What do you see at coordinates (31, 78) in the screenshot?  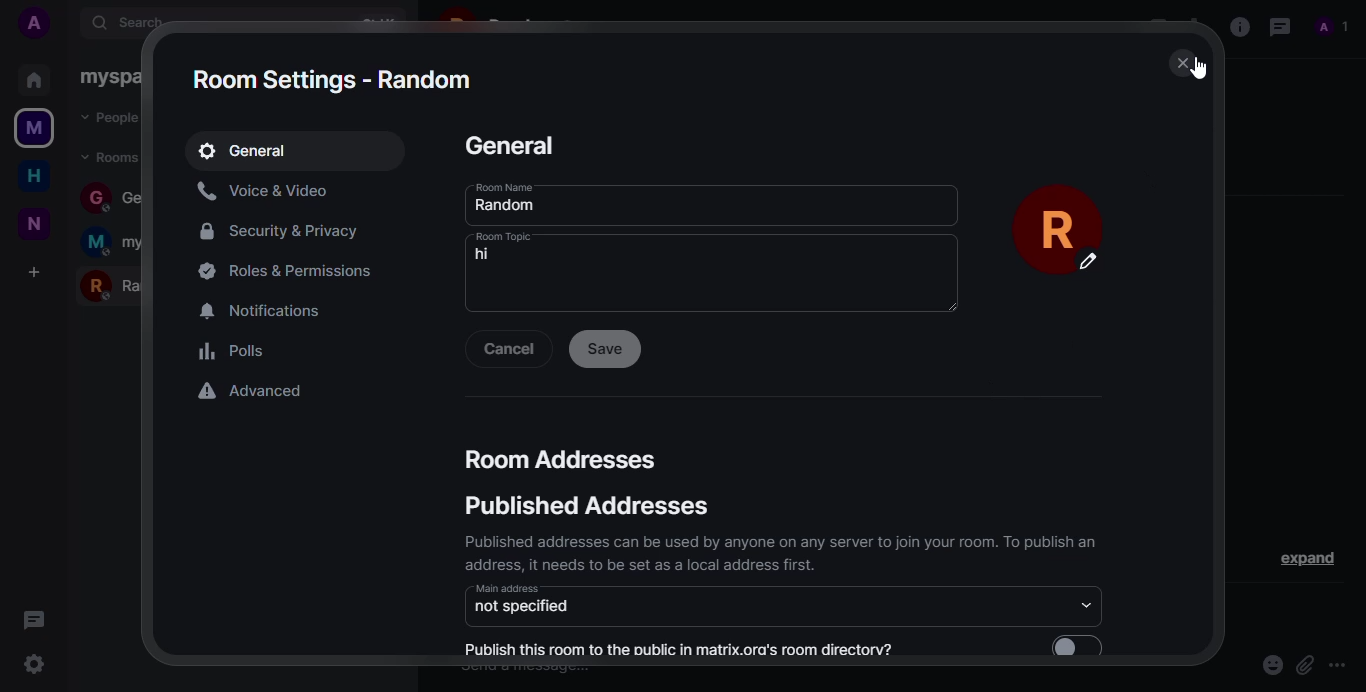 I see `home` at bounding box center [31, 78].